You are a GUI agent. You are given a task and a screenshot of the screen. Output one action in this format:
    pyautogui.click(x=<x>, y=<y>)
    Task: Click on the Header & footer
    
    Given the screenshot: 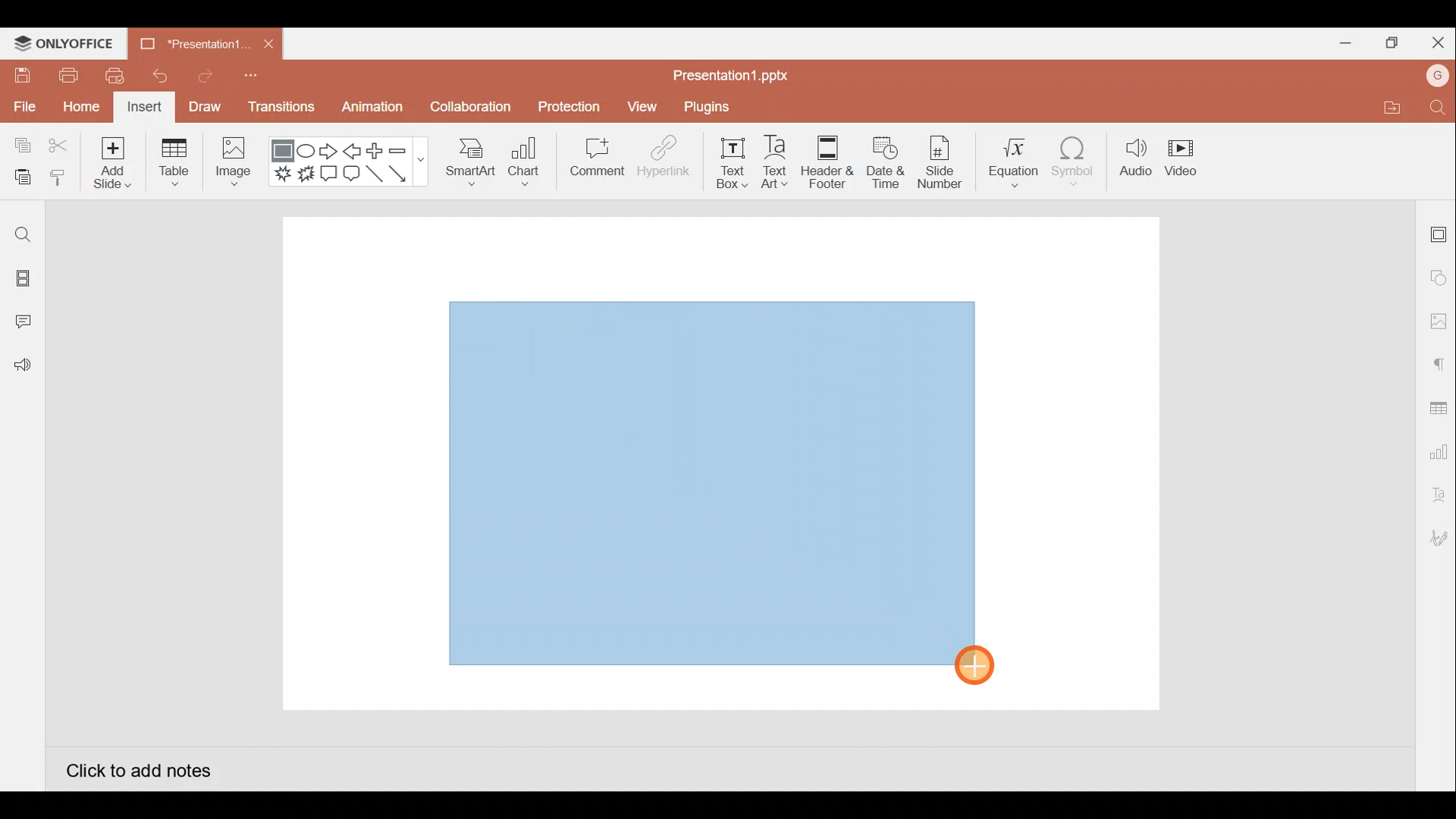 What is the action you would take?
    pyautogui.click(x=828, y=158)
    